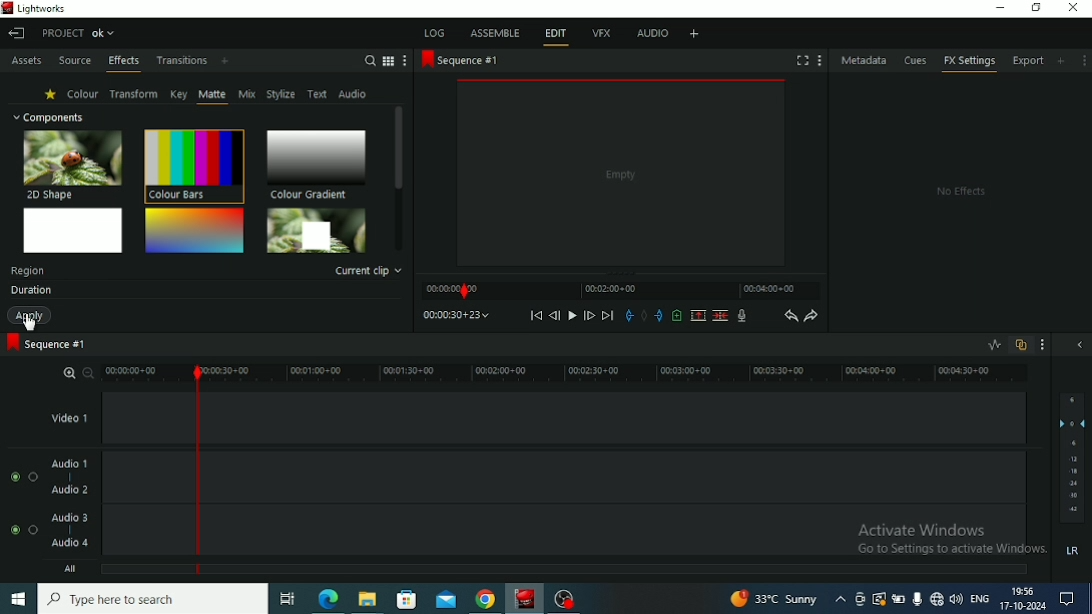 The width and height of the screenshot is (1092, 614). What do you see at coordinates (698, 315) in the screenshot?
I see `Remove the section` at bounding box center [698, 315].